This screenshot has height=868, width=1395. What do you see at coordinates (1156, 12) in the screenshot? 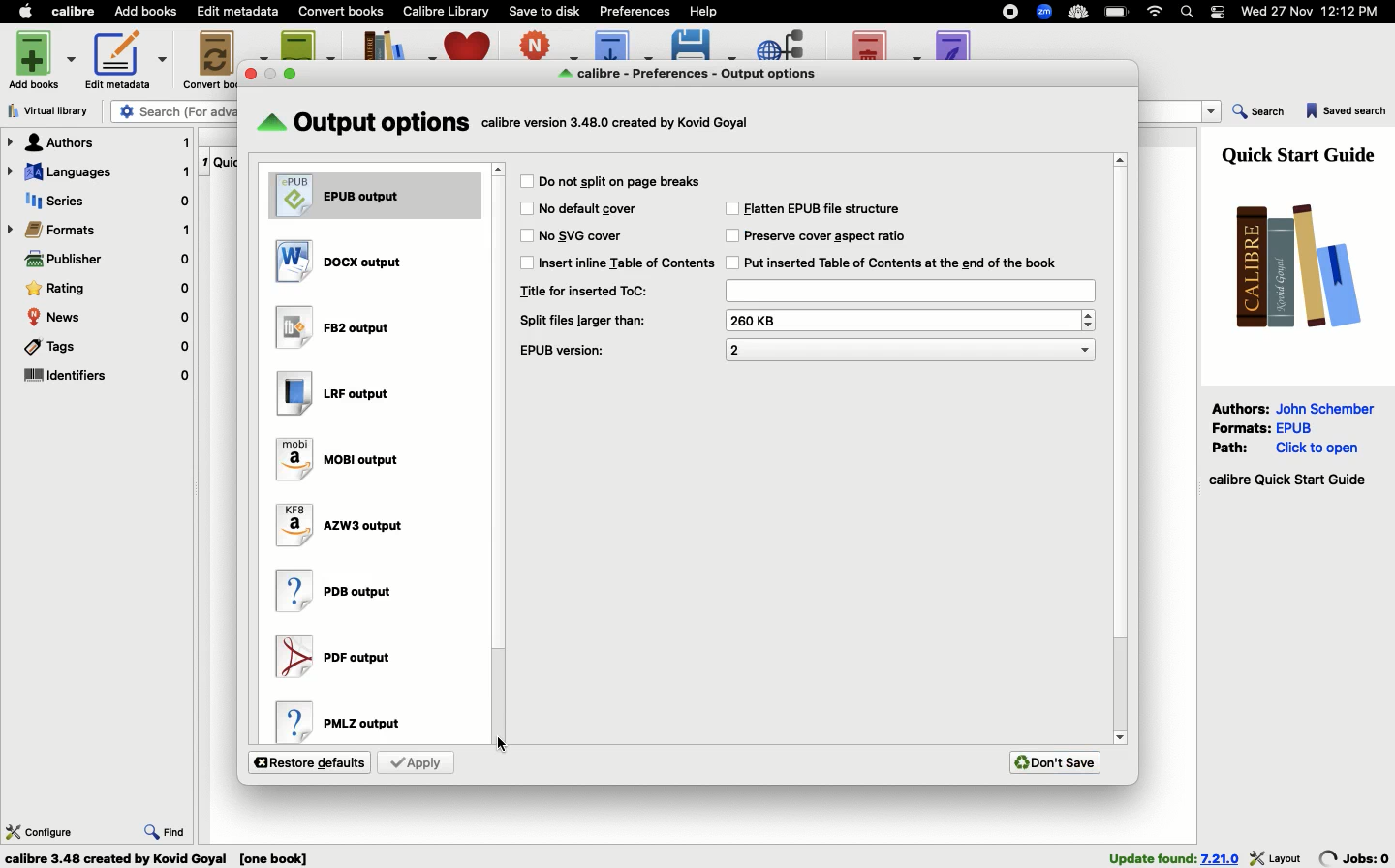
I see `Internet` at bounding box center [1156, 12].